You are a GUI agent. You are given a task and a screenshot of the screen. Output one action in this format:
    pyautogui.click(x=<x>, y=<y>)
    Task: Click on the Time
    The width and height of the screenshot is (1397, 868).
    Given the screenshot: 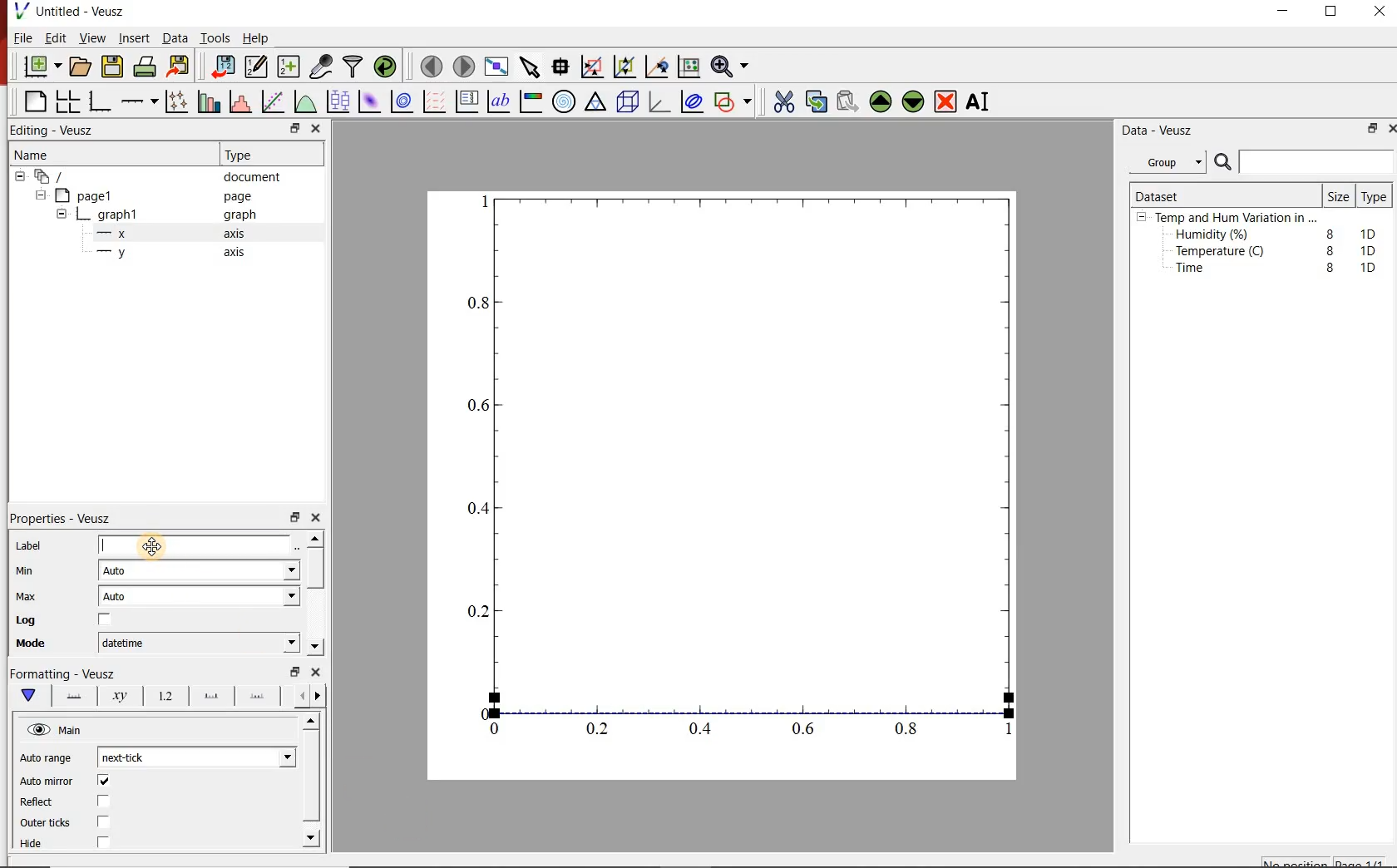 What is the action you would take?
    pyautogui.click(x=1199, y=272)
    